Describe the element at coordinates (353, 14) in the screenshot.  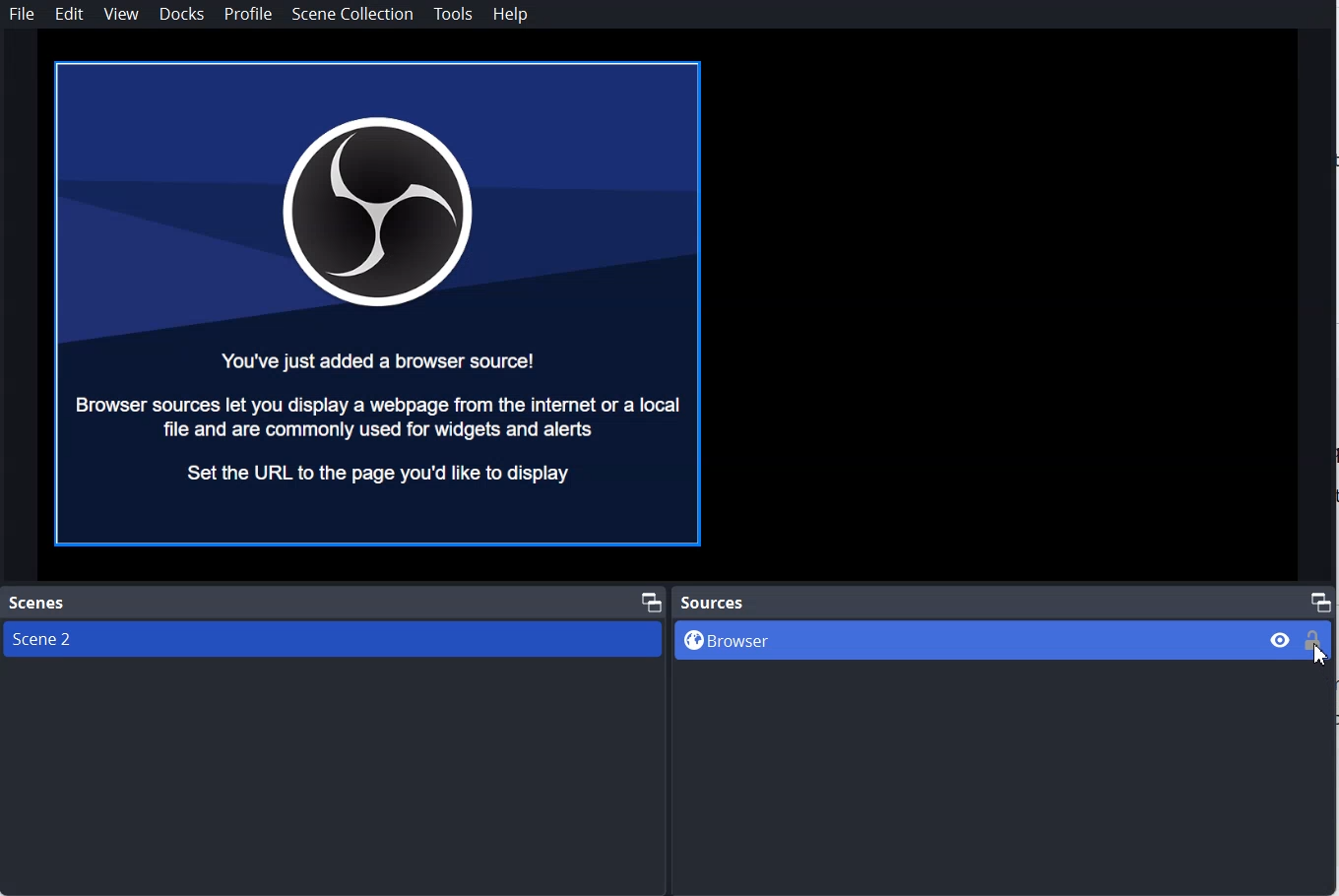
I see `Scene Collection` at that location.